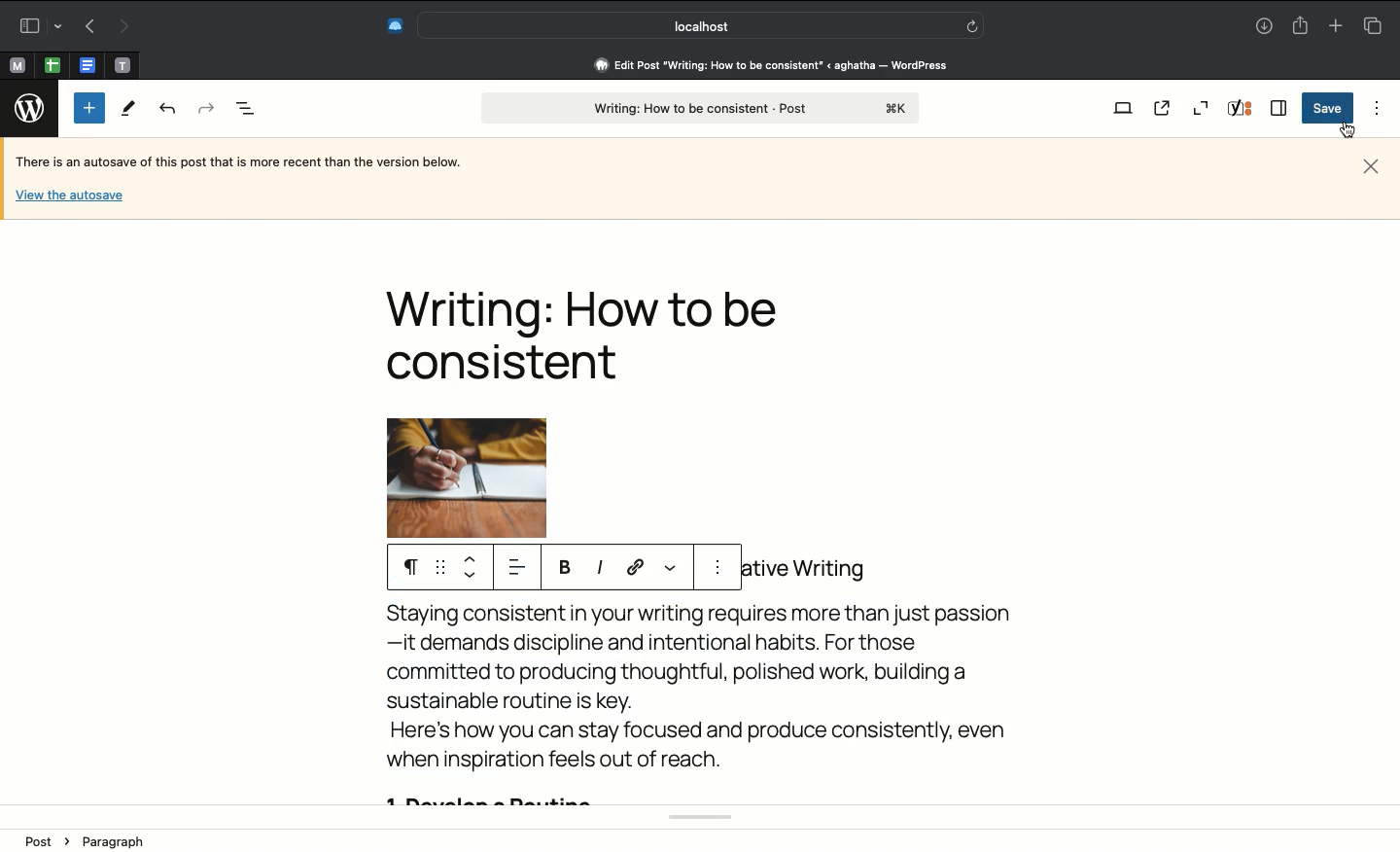 This screenshot has width=1400, height=852. What do you see at coordinates (1347, 129) in the screenshot?
I see `cursor` at bounding box center [1347, 129].